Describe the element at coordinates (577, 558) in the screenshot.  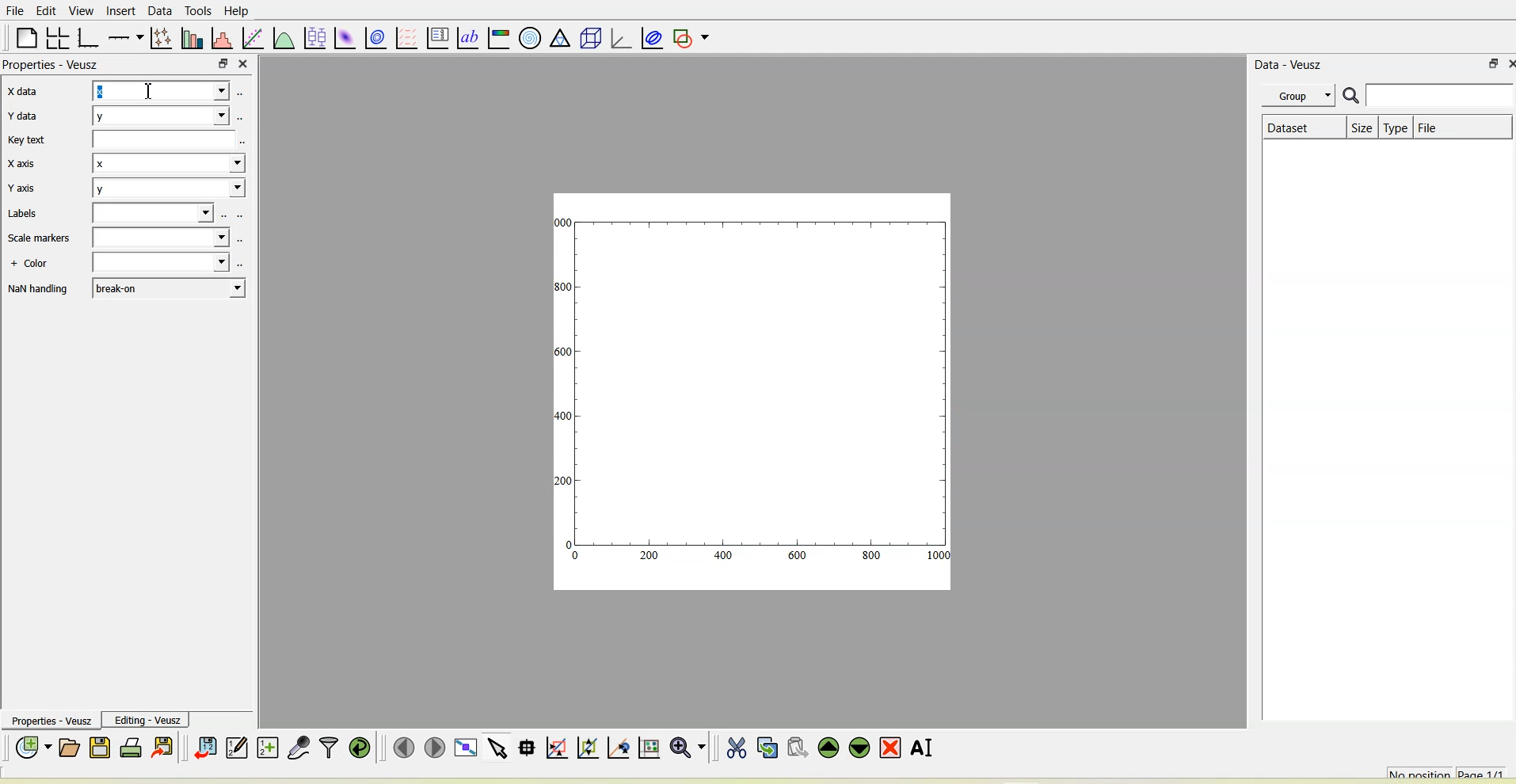
I see `0` at that location.